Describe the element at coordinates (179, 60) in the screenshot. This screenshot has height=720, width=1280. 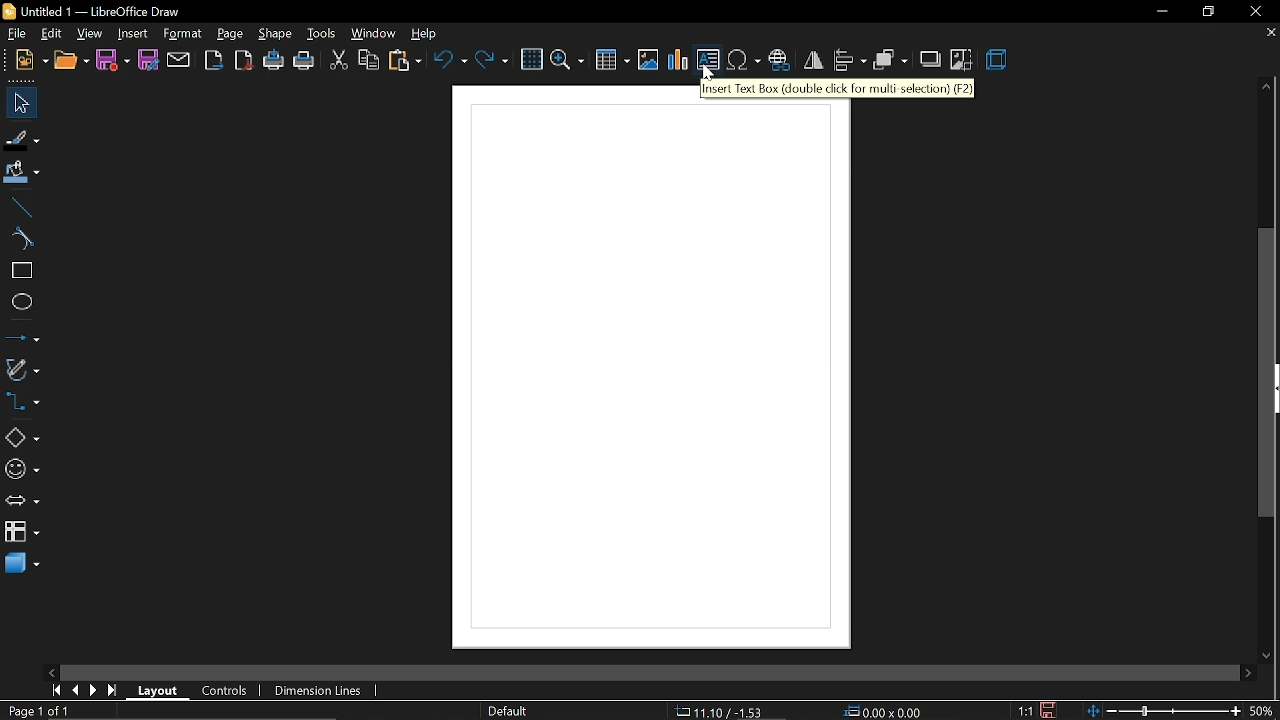
I see `attach` at that location.